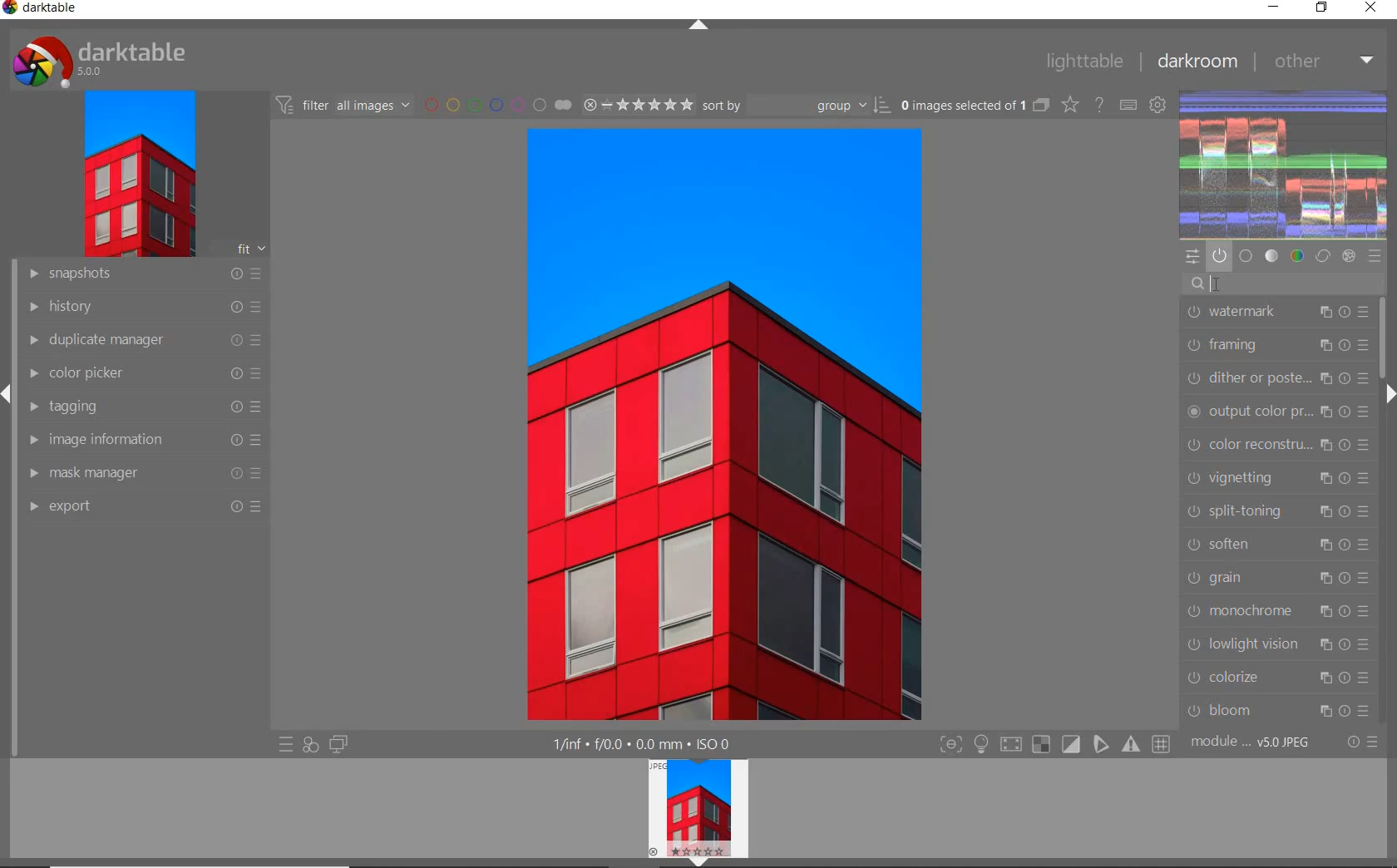  Describe the element at coordinates (1196, 61) in the screenshot. I see `dakroom` at that location.